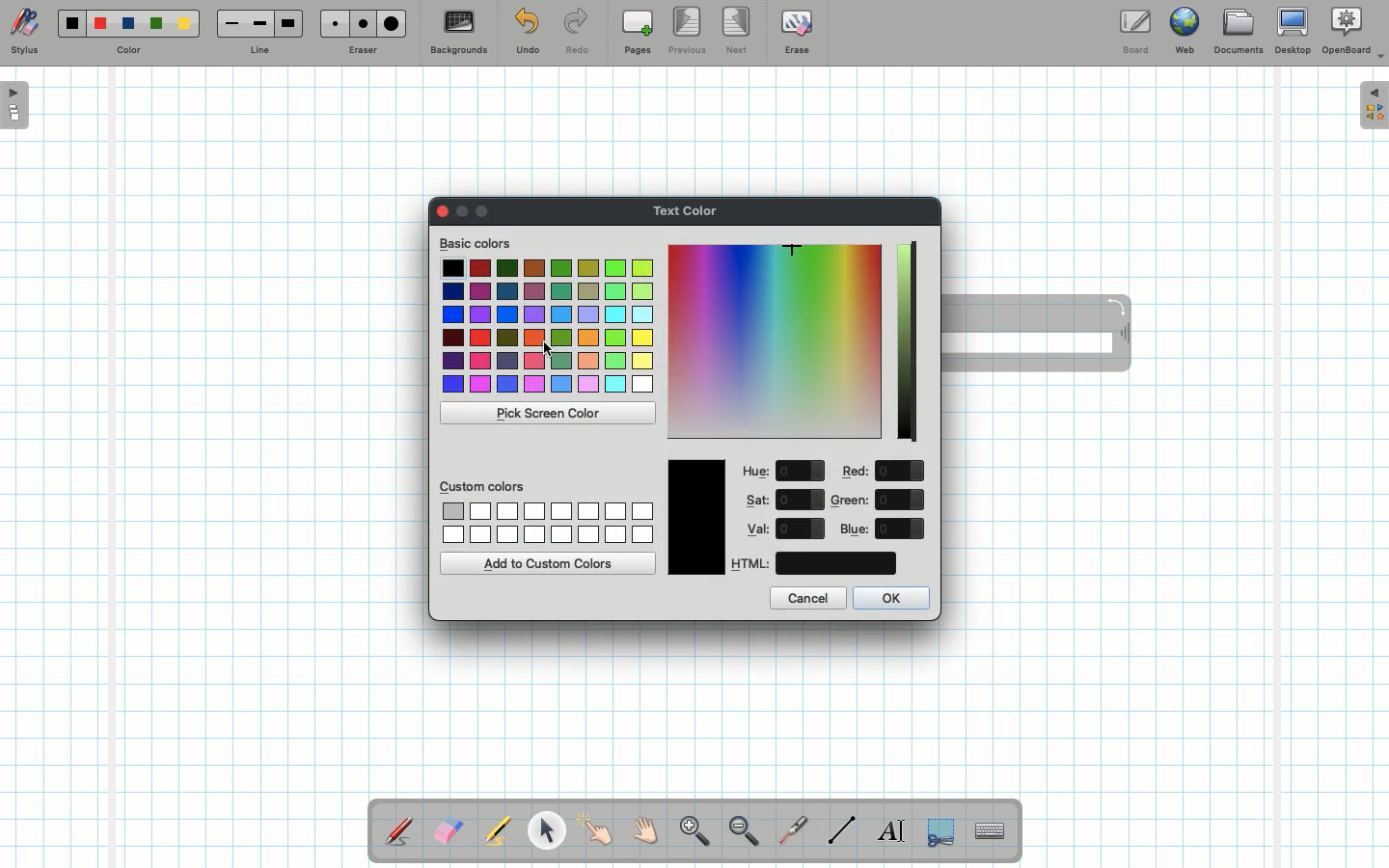  I want to click on Pointer, so click(546, 830).